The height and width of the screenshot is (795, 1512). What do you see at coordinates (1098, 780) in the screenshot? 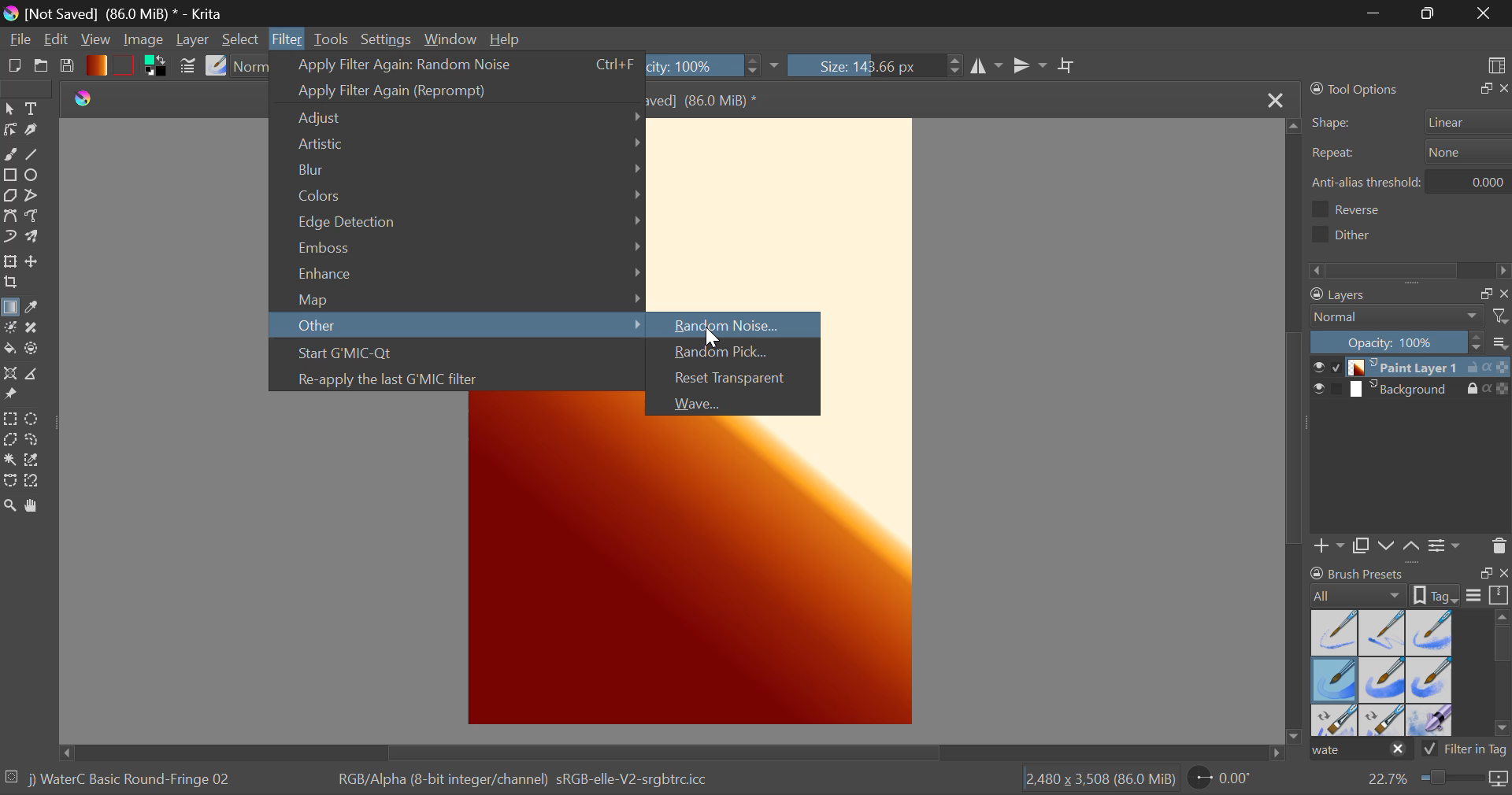
I see `2,480x3,508 (86.0 MiB)` at bounding box center [1098, 780].